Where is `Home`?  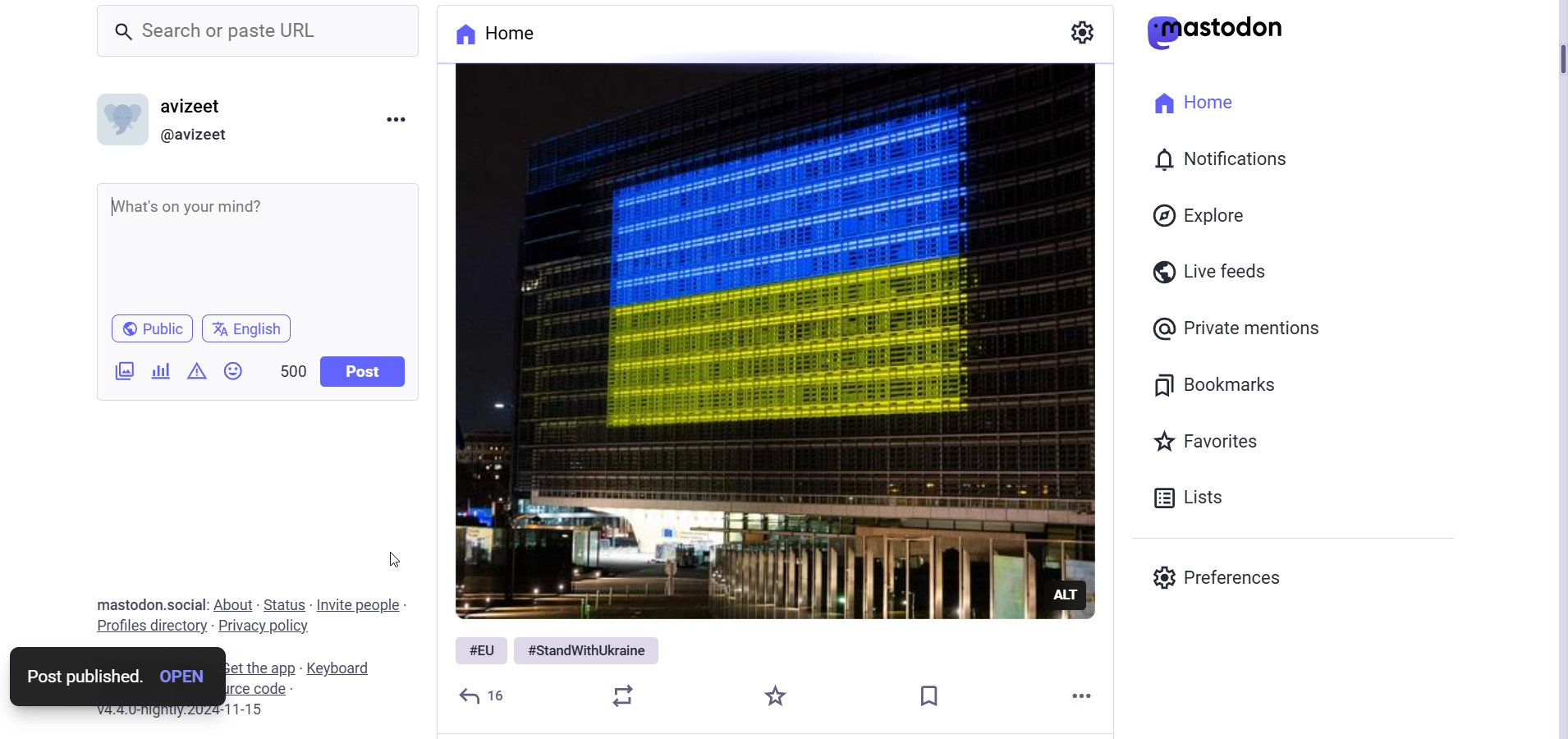 Home is located at coordinates (512, 34).